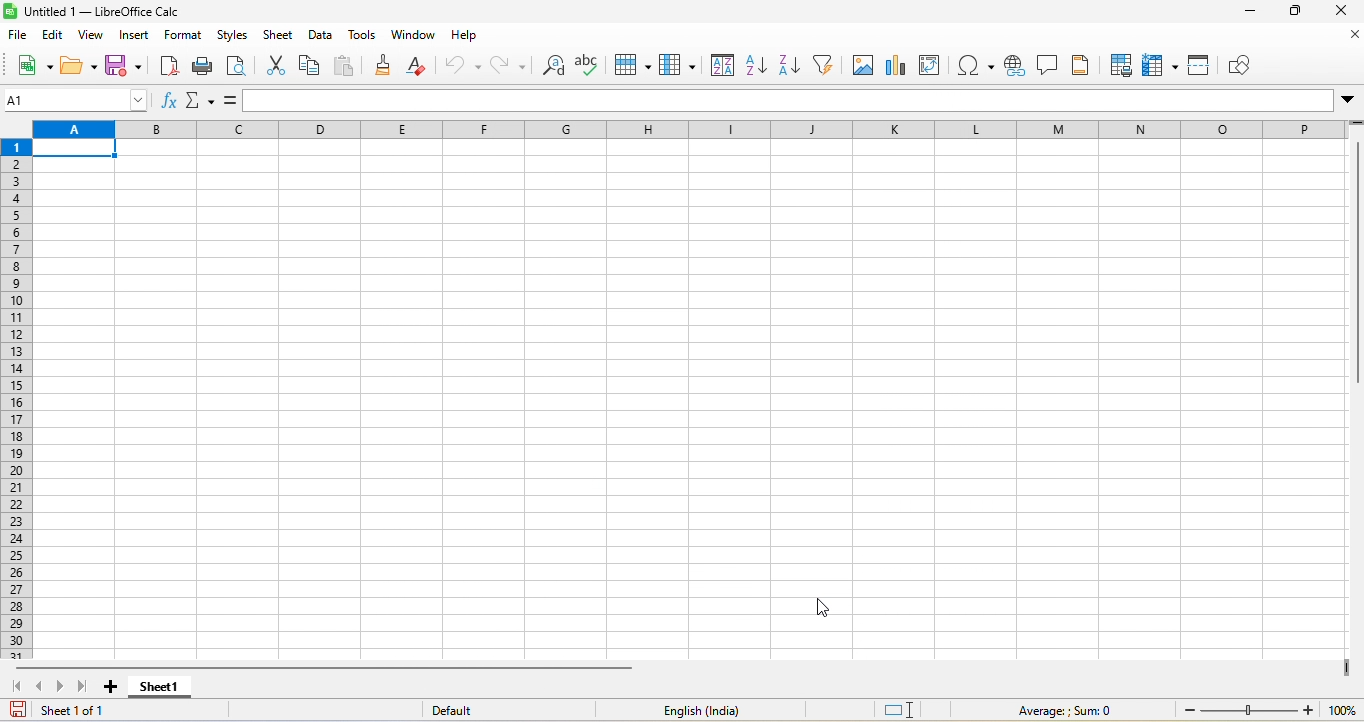  What do you see at coordinates (279, 37) in the screenshot?
I see `sheet` at bounding box center [279, 37].